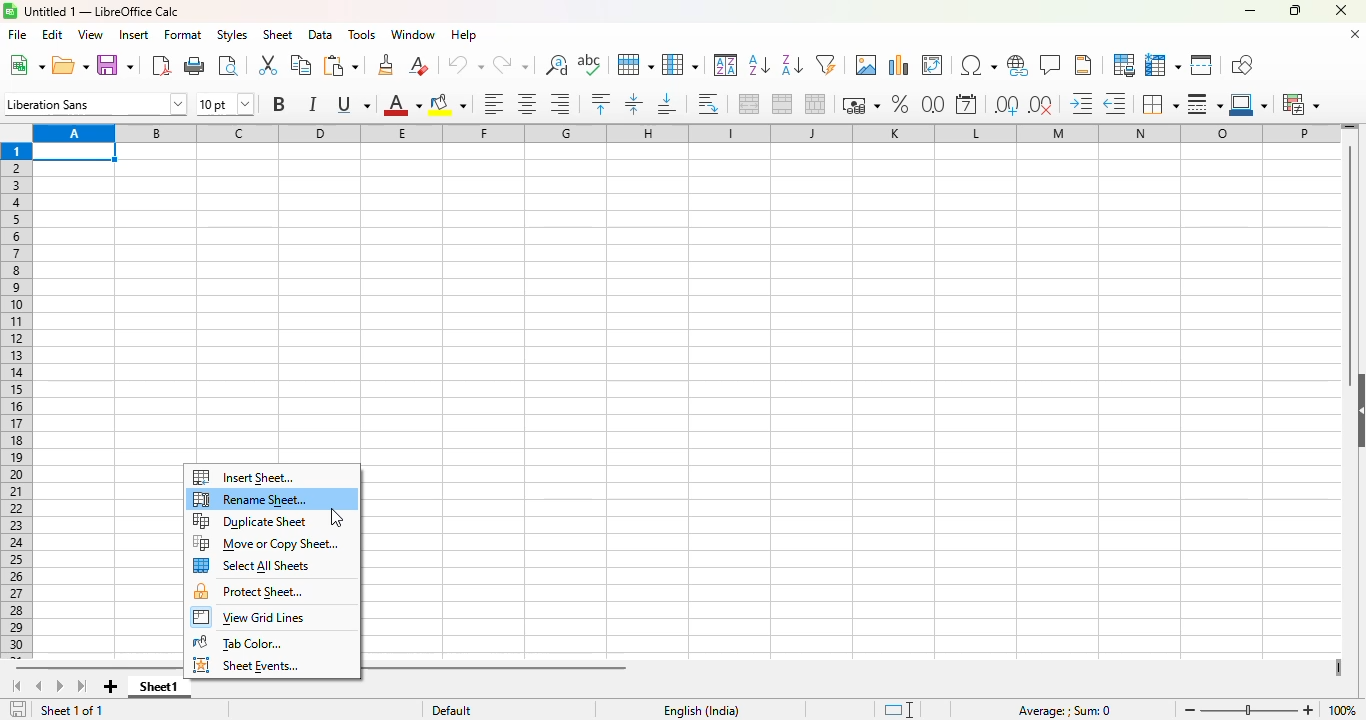  What do you see at coordinates (635, 65) in the screenshot?
I see `row` at bounding box center [635, 65].